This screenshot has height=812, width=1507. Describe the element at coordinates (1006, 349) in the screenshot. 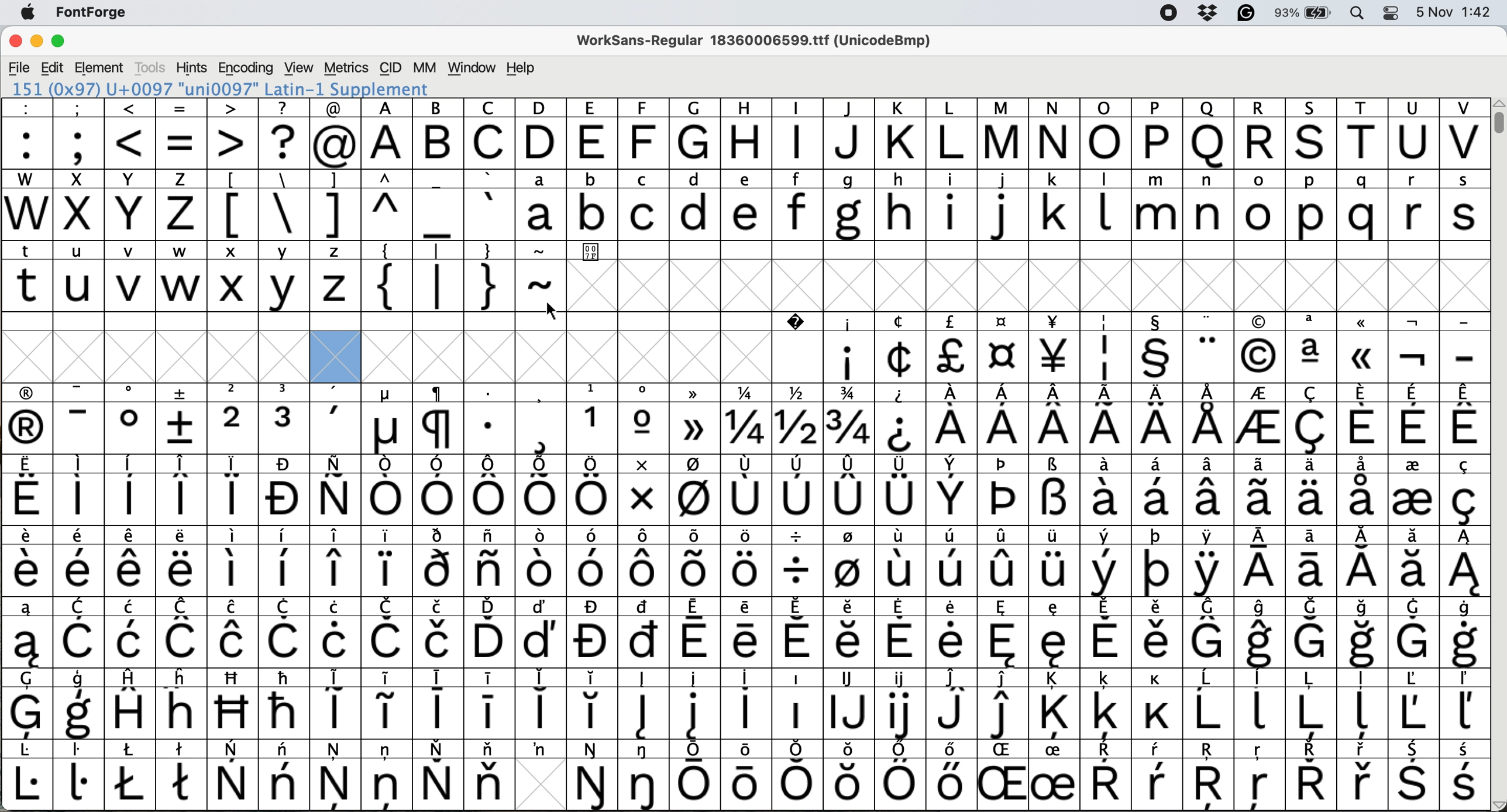

I see `symbol` at that location.